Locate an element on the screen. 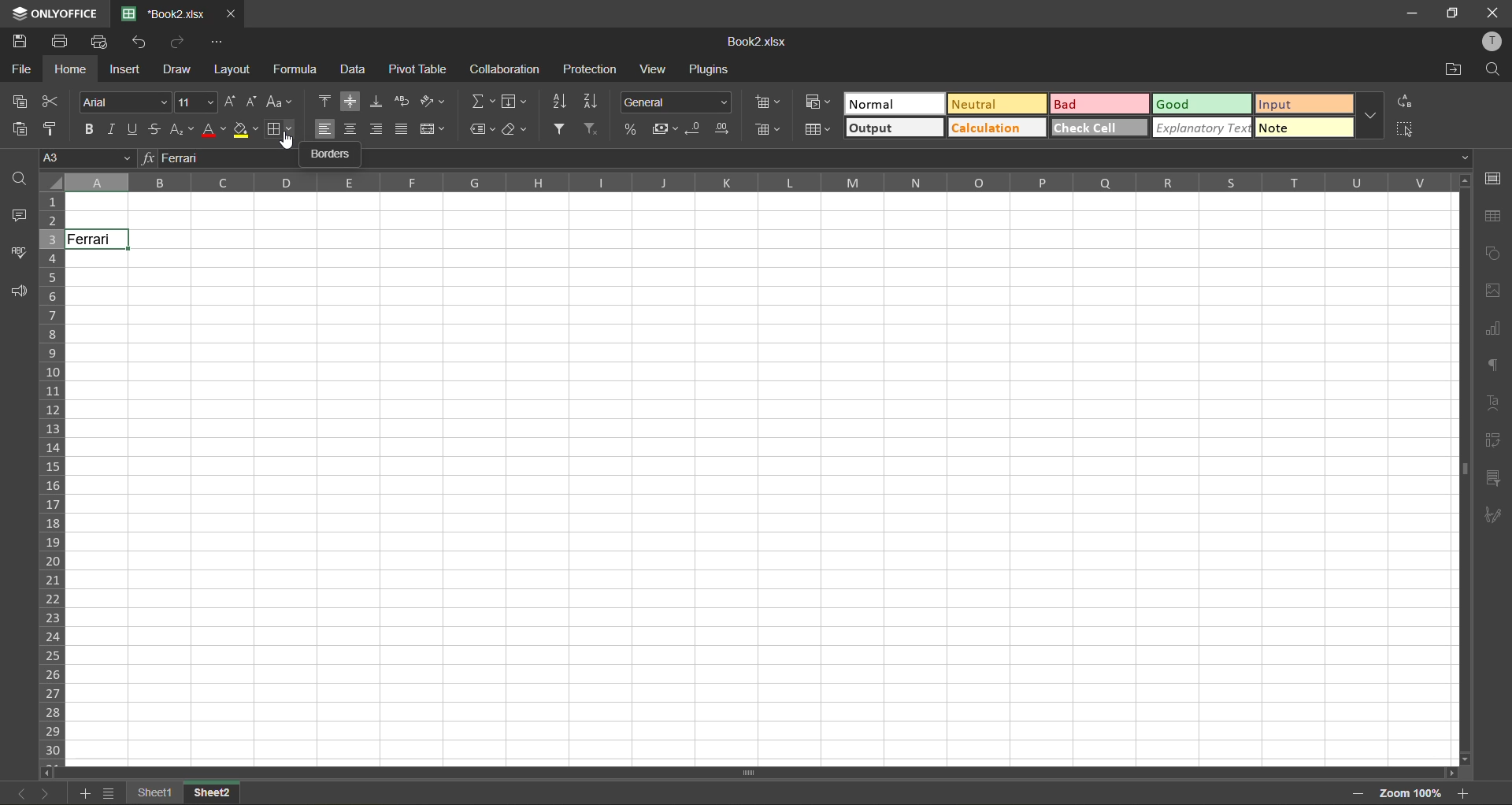 The height and width of the screenshot is (805, 1512). copy is located at coordinates (20, 102).